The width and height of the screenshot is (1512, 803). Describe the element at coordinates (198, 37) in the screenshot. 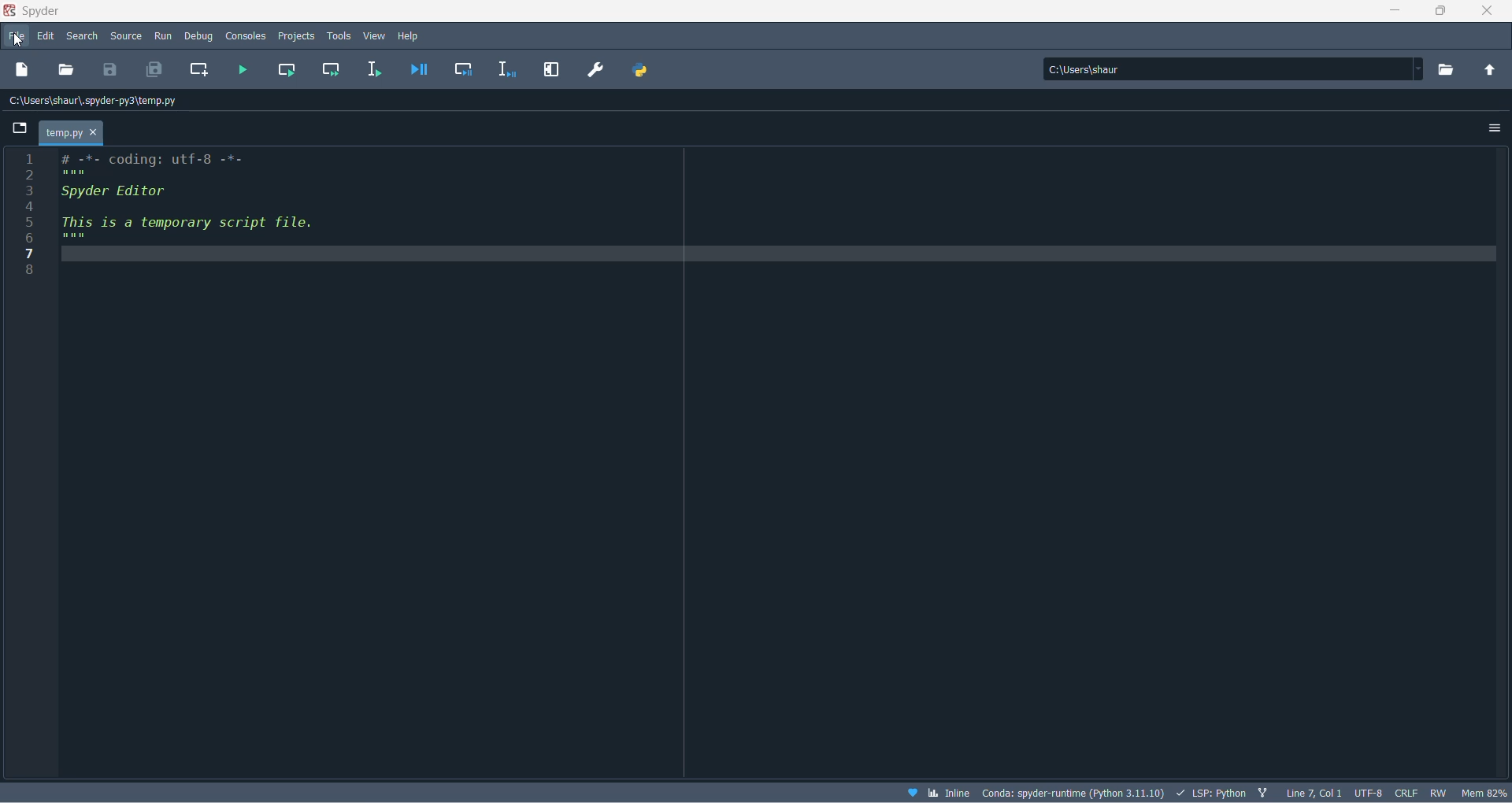

I see `debug` at that location.